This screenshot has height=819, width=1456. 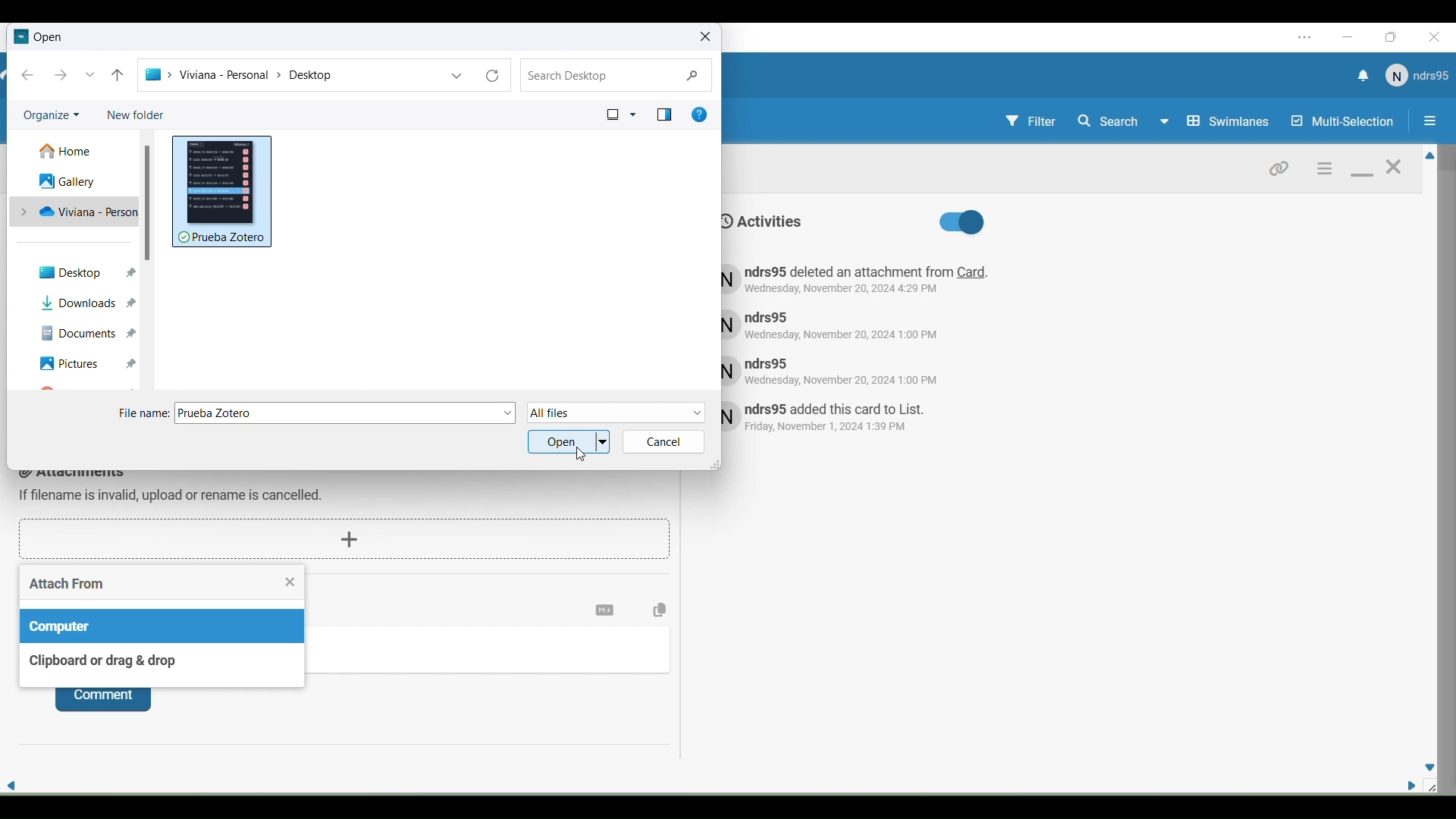 What do you see at coordinates (849, 370) in the screenshot?
I see `Text` at bounding box center [849, 370].